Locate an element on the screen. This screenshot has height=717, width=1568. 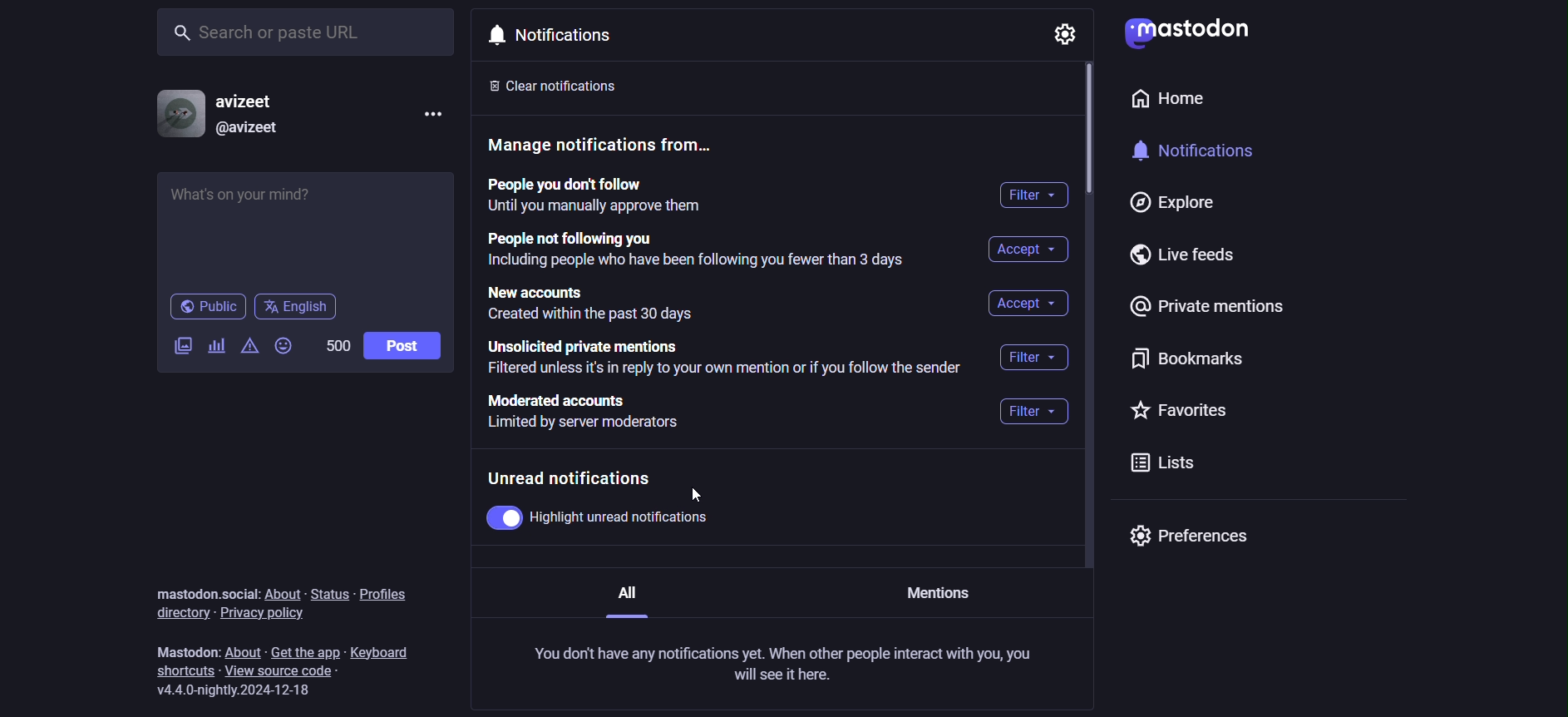
post is located at coordinates (405, 345).